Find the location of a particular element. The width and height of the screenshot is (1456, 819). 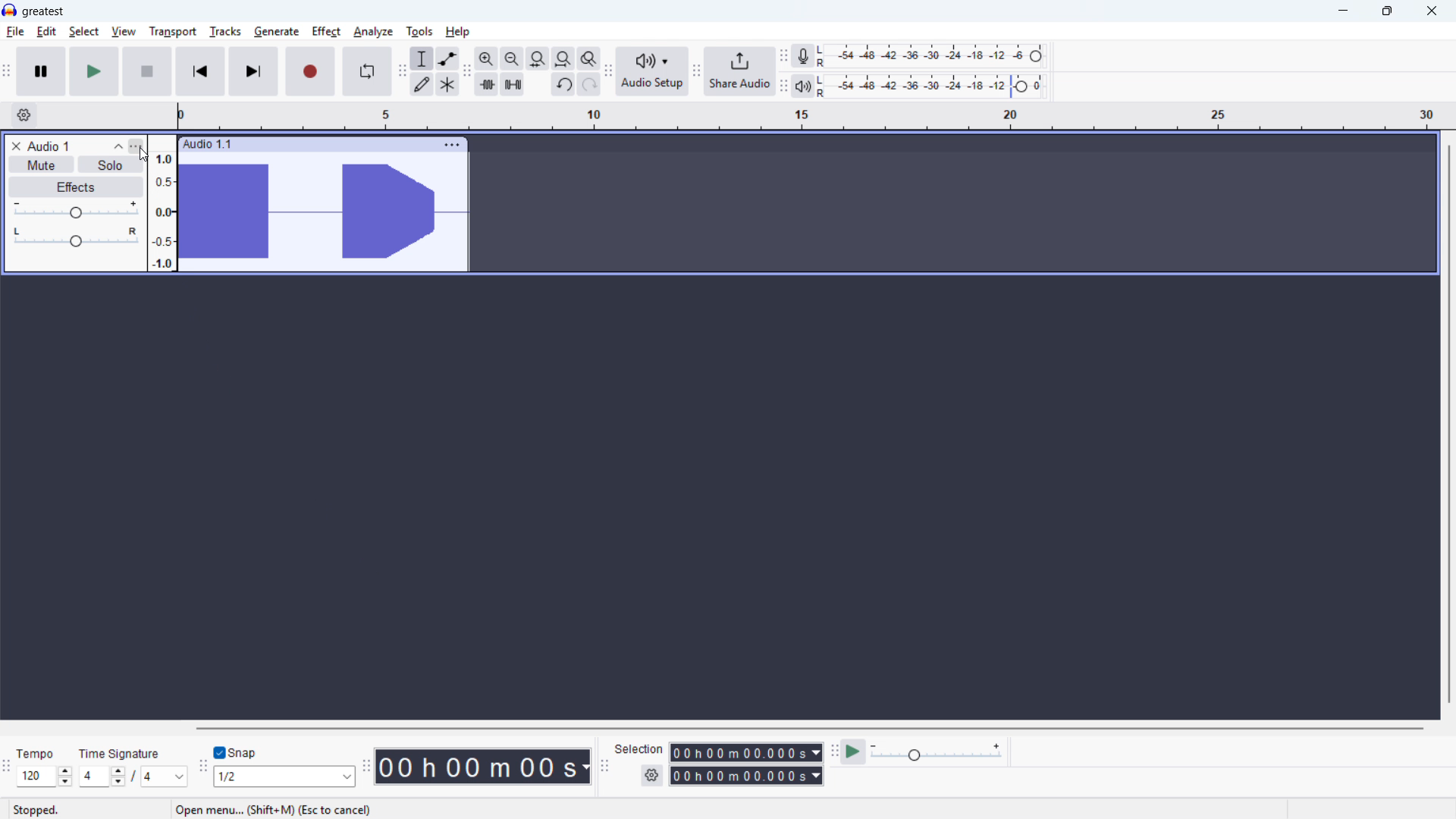

Tools  is located at coordinates (419, 32).